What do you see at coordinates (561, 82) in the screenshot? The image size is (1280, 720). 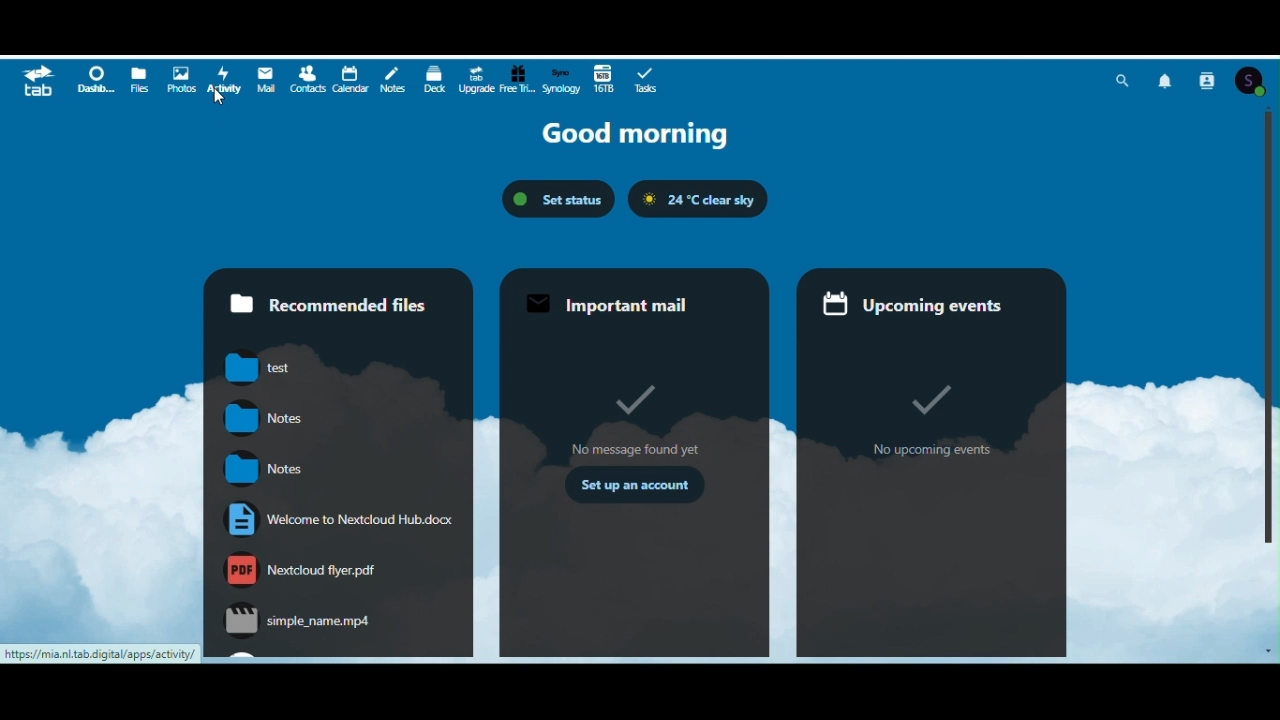 I see `Synology` at bounding box center [561, 82].